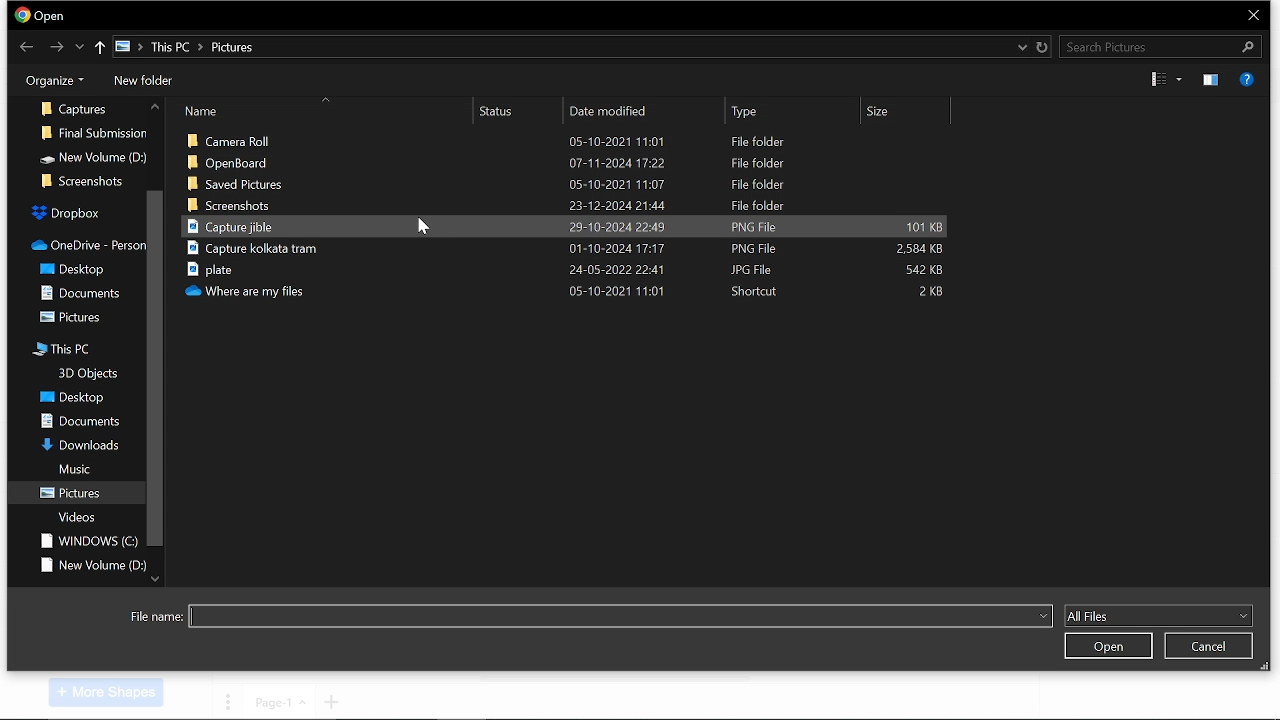  Describe the element at coordinates (1209, 647) in the screenshot. I see `cancel` at that location.